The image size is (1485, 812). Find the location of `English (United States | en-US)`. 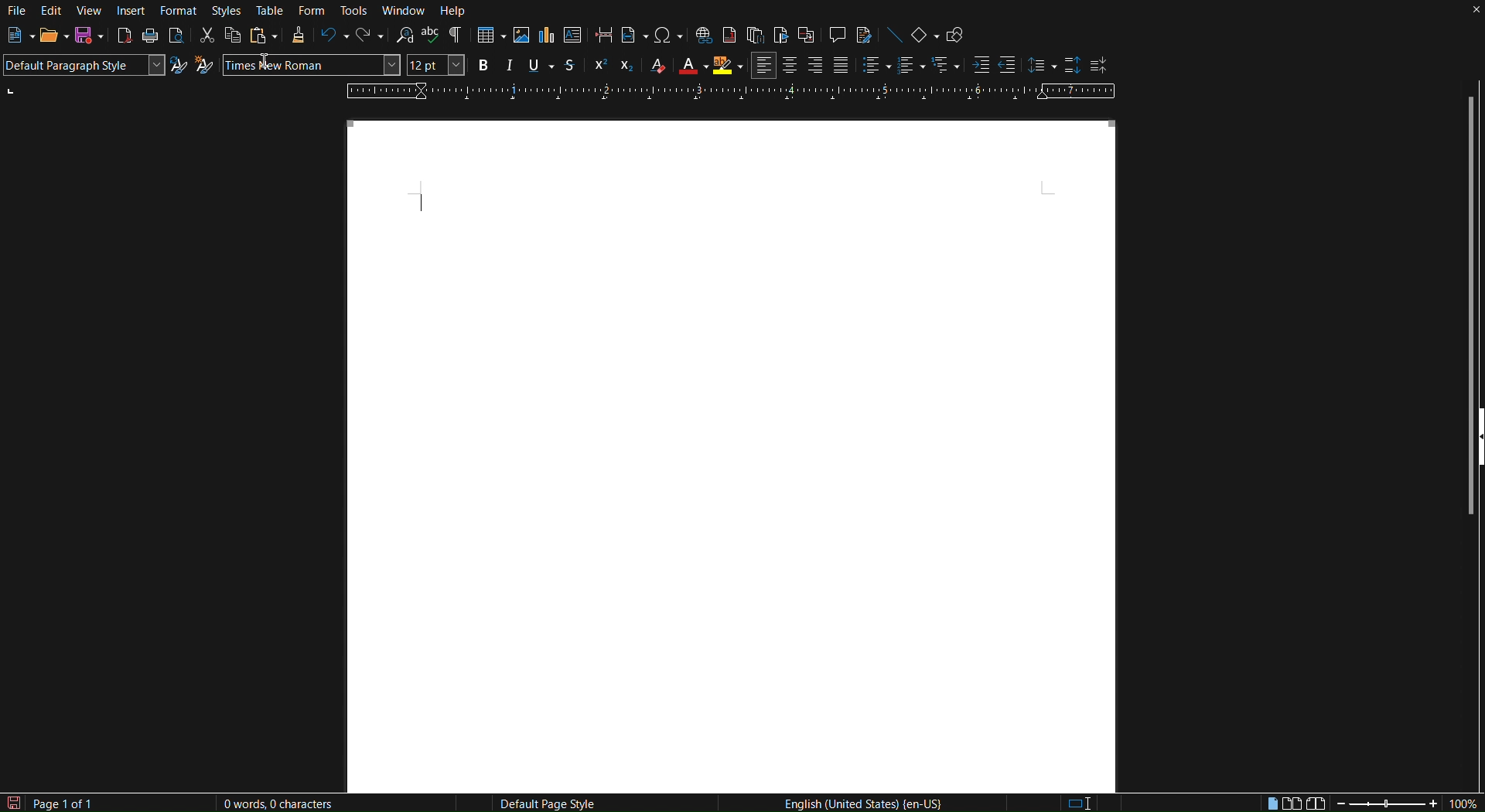

English (United States | en-US) is located at coordinates (866, 803).